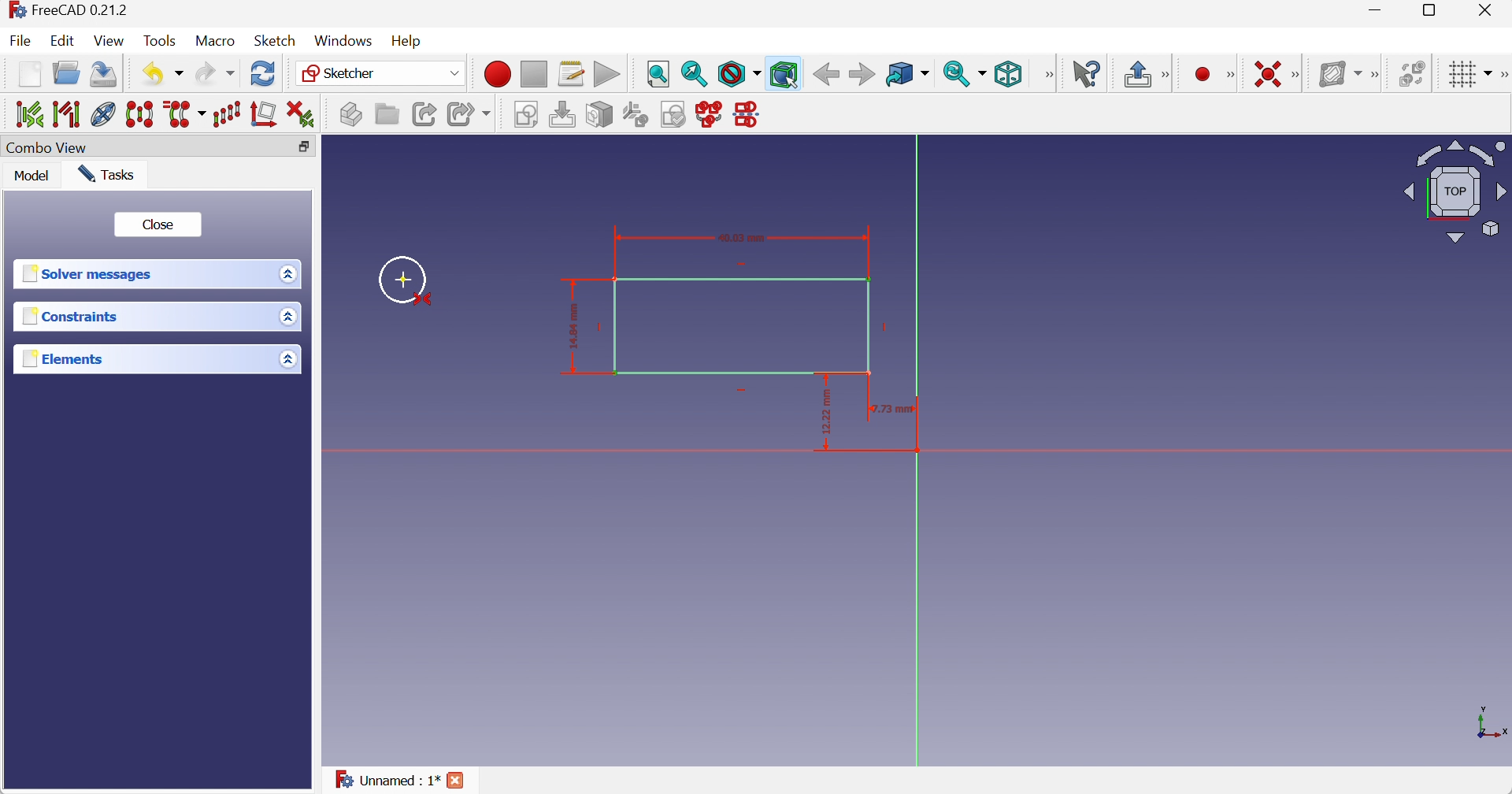  Describe the element at coordinates (20, 40) in the screenshot. I see `File` at that location.